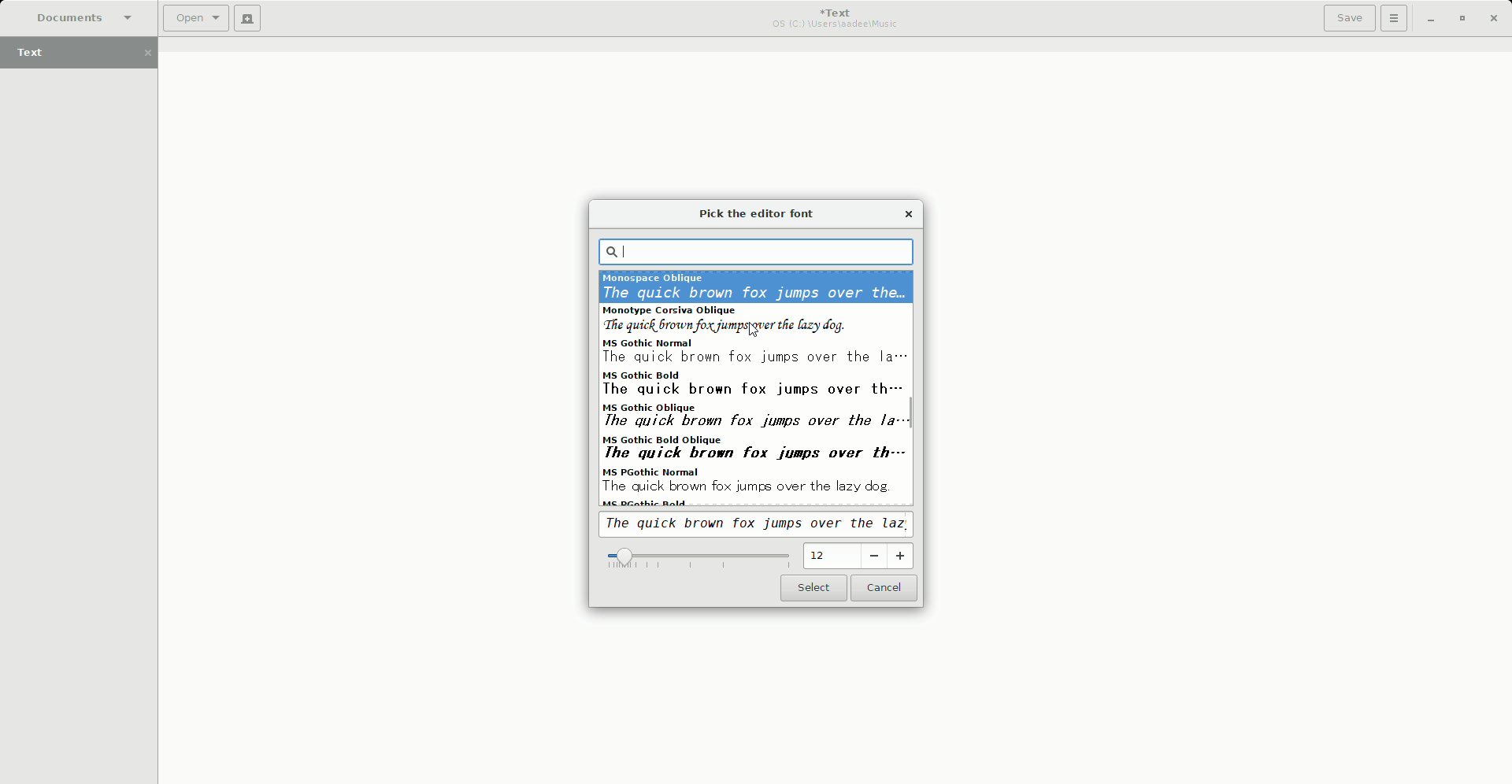 The width and height of the screenshot is (1512, 784). Describe the element at coordinates (910, 212) in the screenshot. I see `Close` at that location.